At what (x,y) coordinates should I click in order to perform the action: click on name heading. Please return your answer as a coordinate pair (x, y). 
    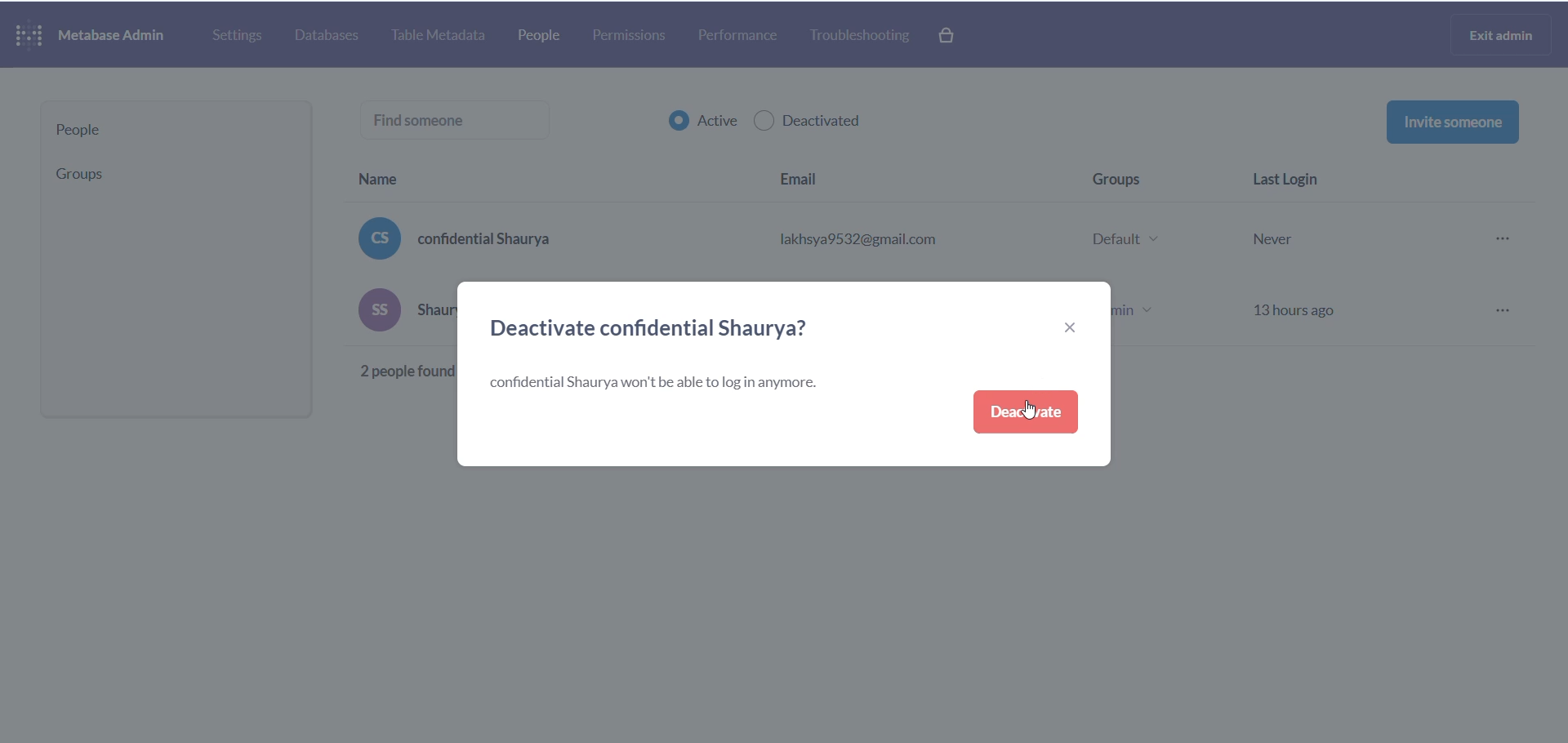
    Looking at the image, I should click on (443, 181).